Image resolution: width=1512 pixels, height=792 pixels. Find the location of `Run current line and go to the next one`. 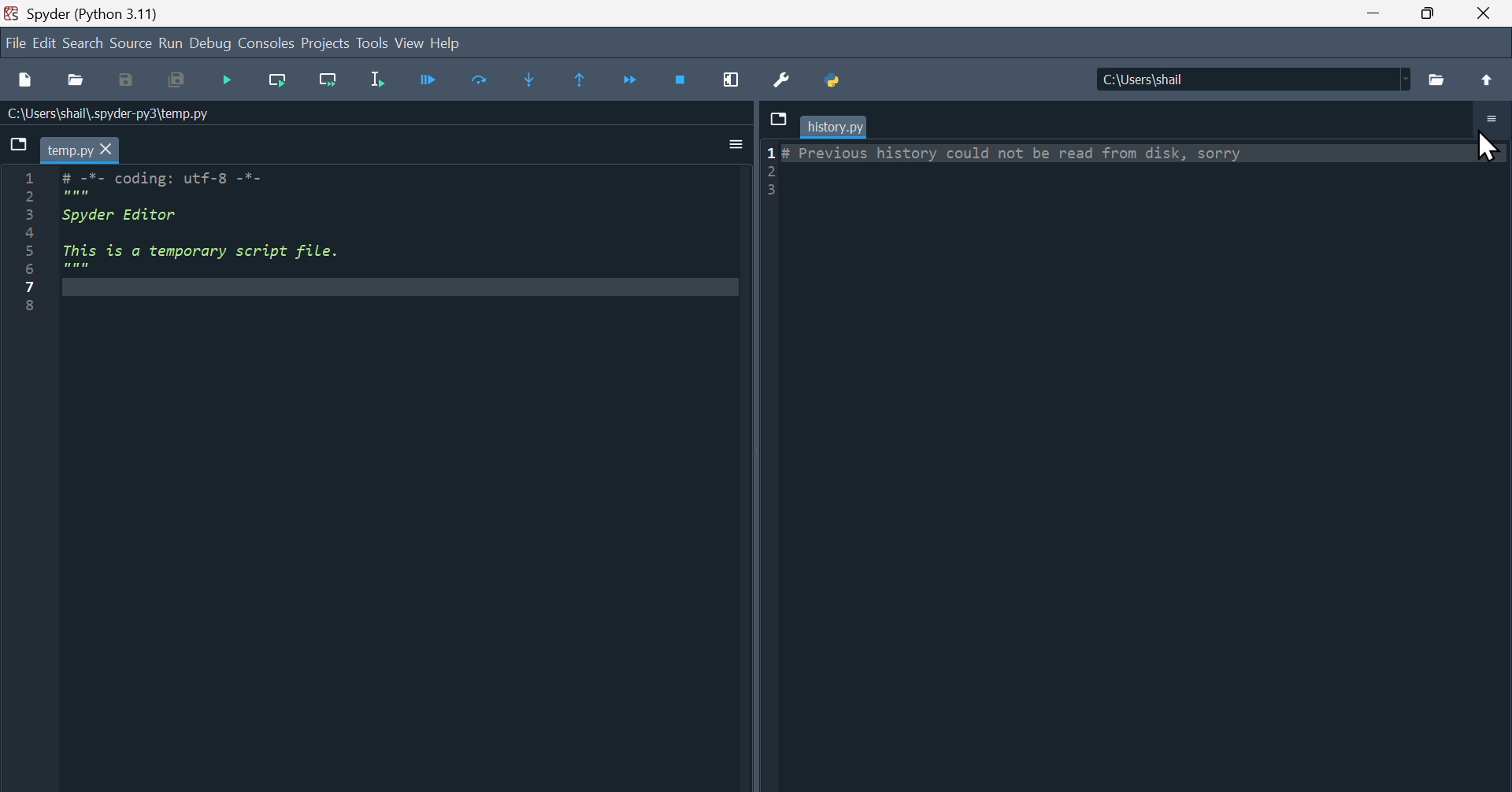

Run current line and go to the next one is located at coordinates (329, 81).